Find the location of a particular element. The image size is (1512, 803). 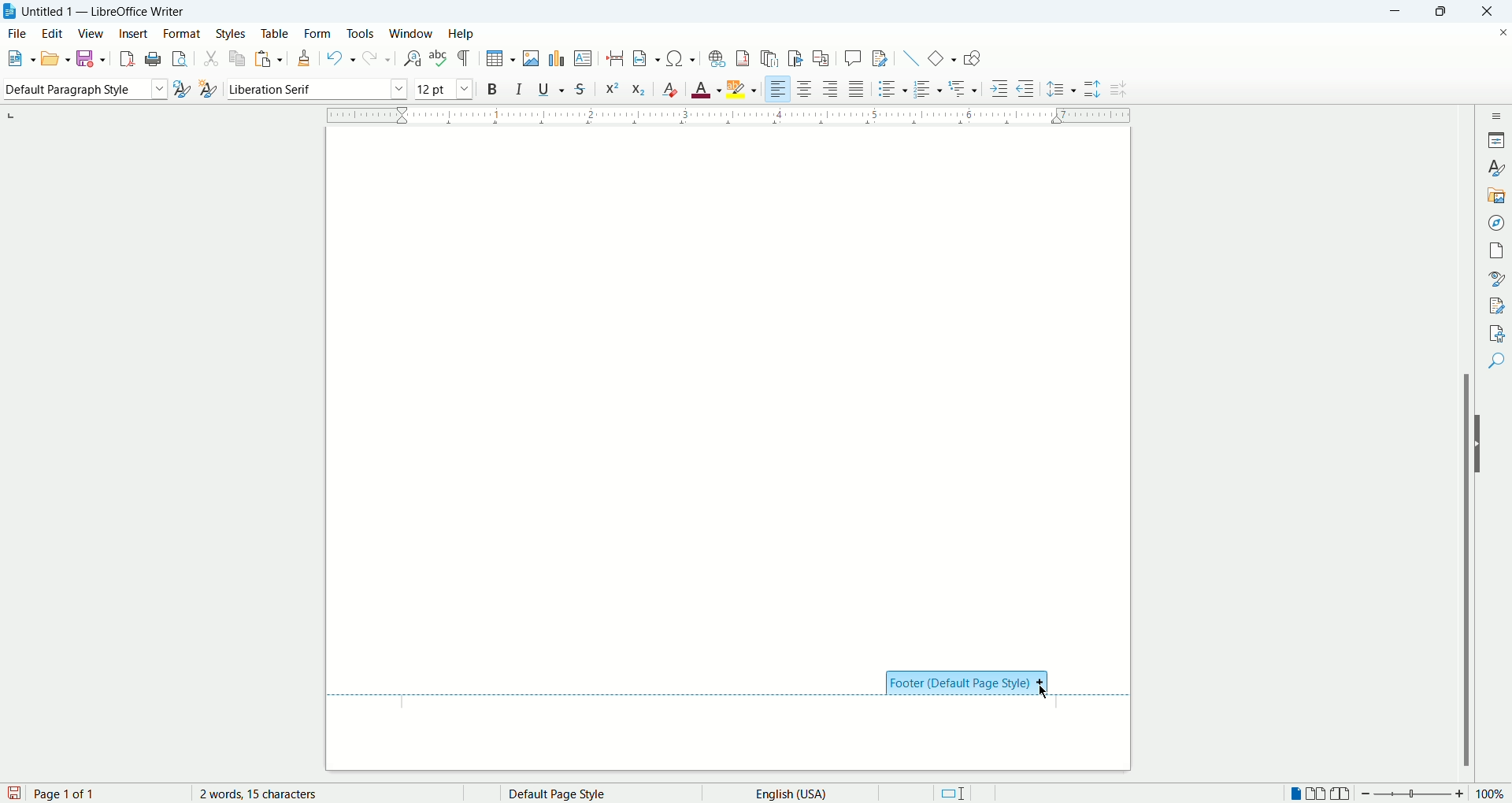

new style is located at coordinates (207, 89).